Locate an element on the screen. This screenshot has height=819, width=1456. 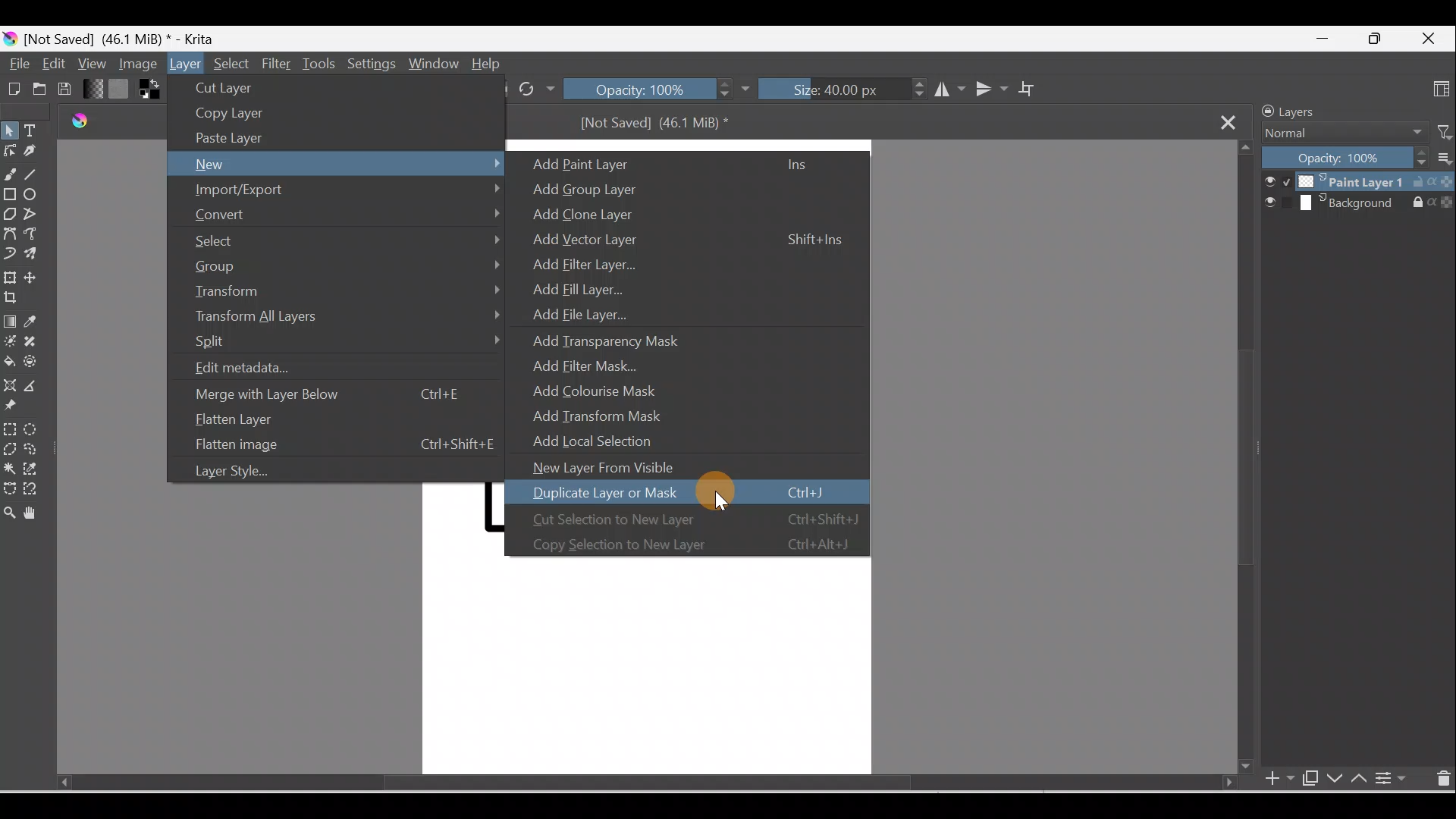
Window is located at coordinates (433, 63).